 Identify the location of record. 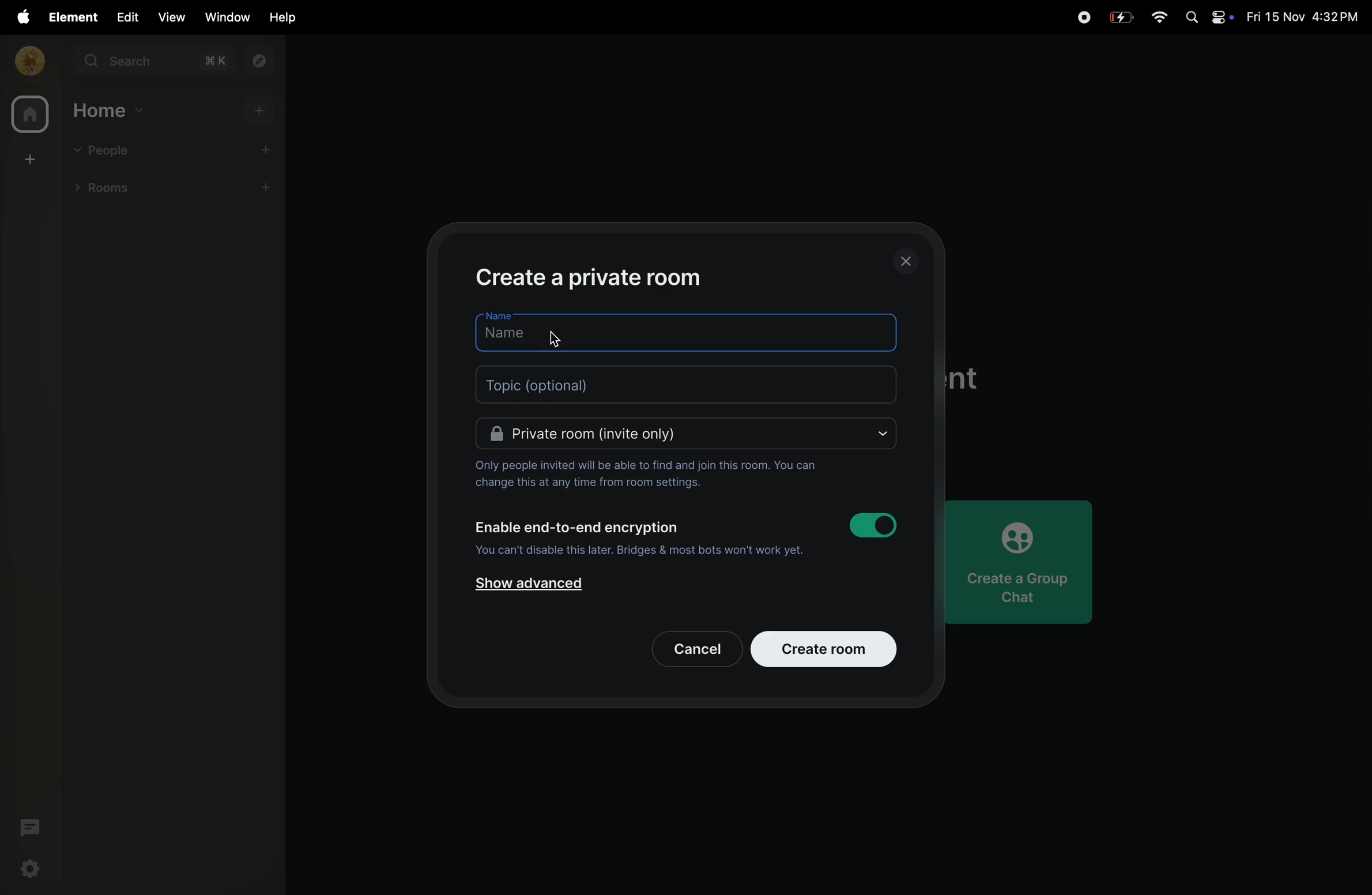
(1083, 16).